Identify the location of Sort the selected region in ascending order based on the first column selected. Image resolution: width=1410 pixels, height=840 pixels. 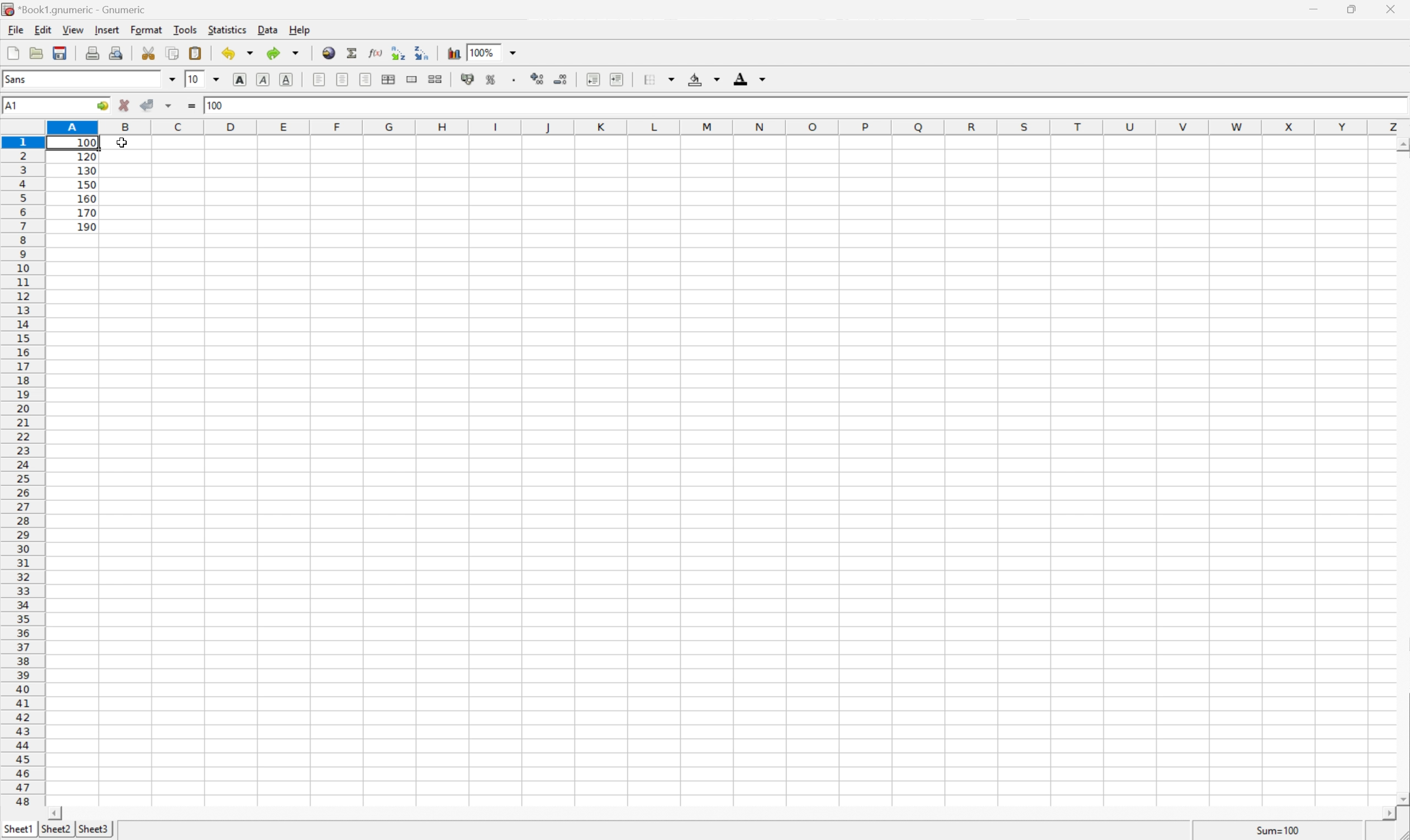
(399, 53).